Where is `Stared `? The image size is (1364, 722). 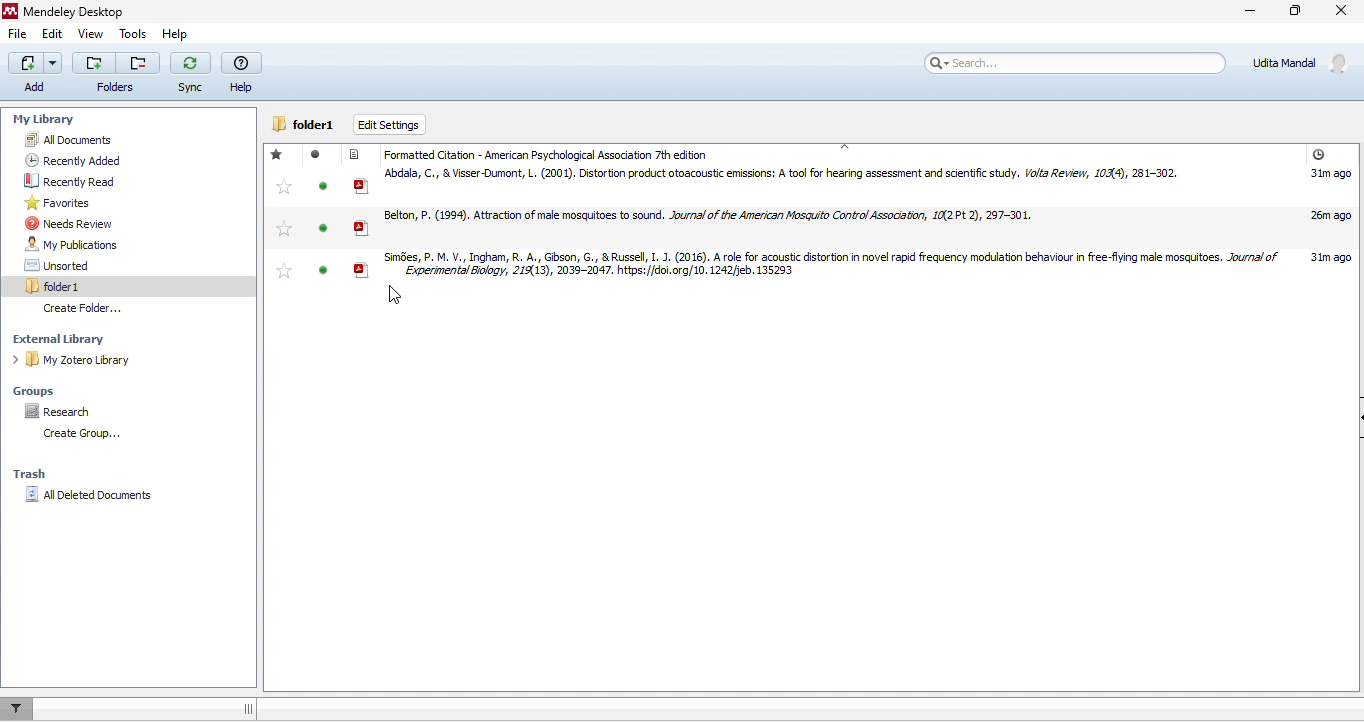 Stared  is located at coordinates (282, 212).